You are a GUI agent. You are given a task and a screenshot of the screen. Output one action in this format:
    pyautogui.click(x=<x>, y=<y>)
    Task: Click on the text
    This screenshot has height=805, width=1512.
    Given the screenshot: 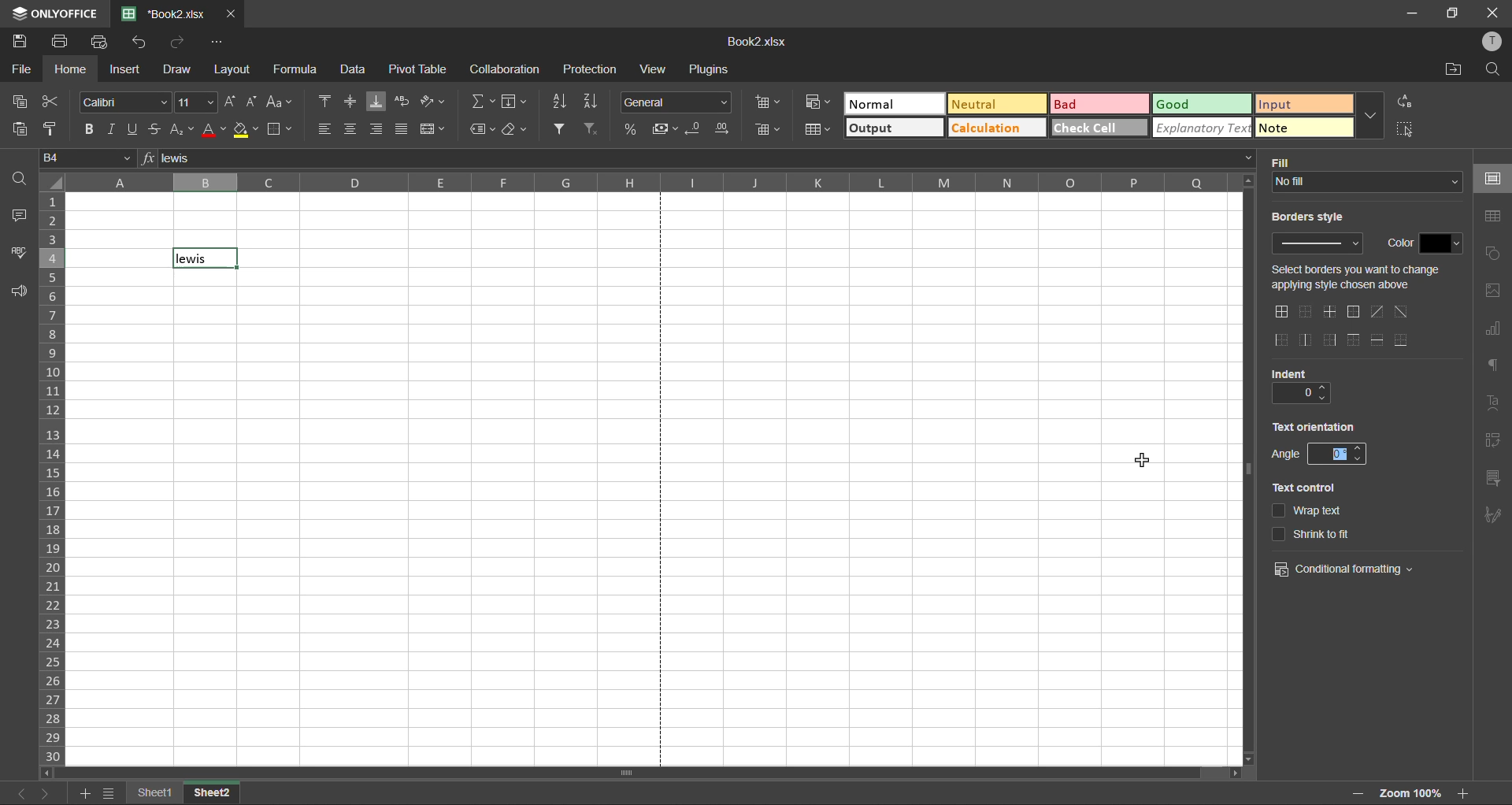 What is the action you would take?
    pyautogui.click(x=1498, y=404)
    